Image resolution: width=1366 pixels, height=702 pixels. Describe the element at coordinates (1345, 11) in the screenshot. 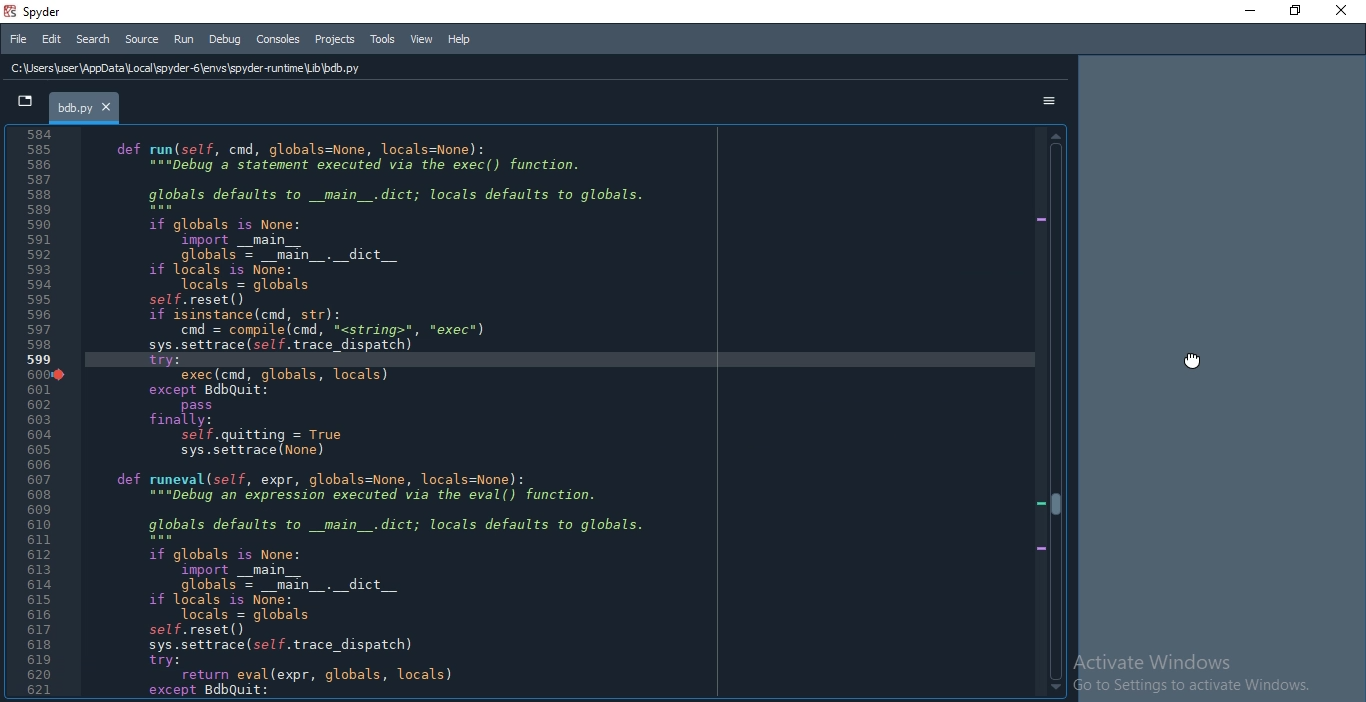

I see `Close` at that location.